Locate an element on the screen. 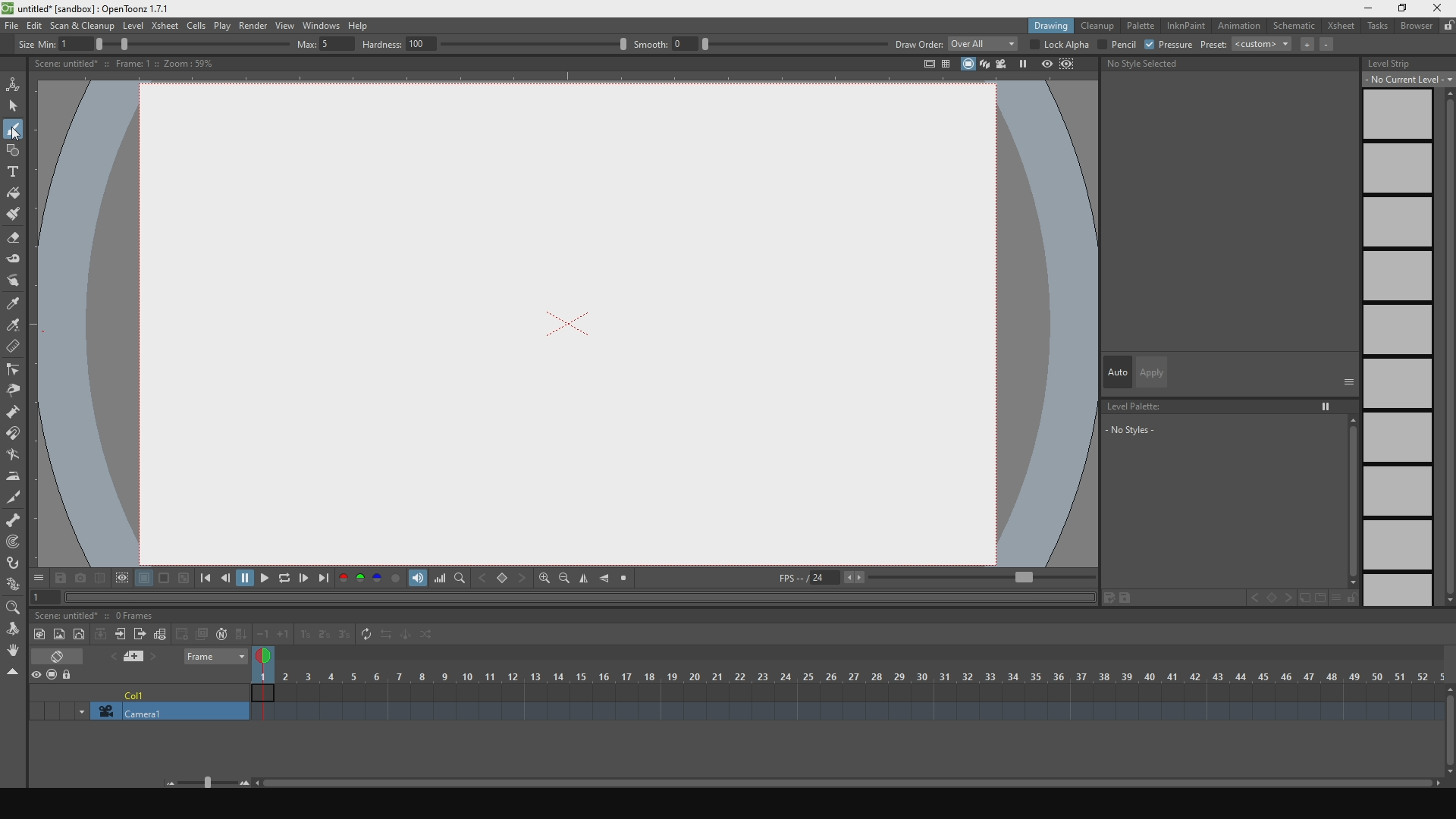  go forwards is located at coordinates (306, 579).